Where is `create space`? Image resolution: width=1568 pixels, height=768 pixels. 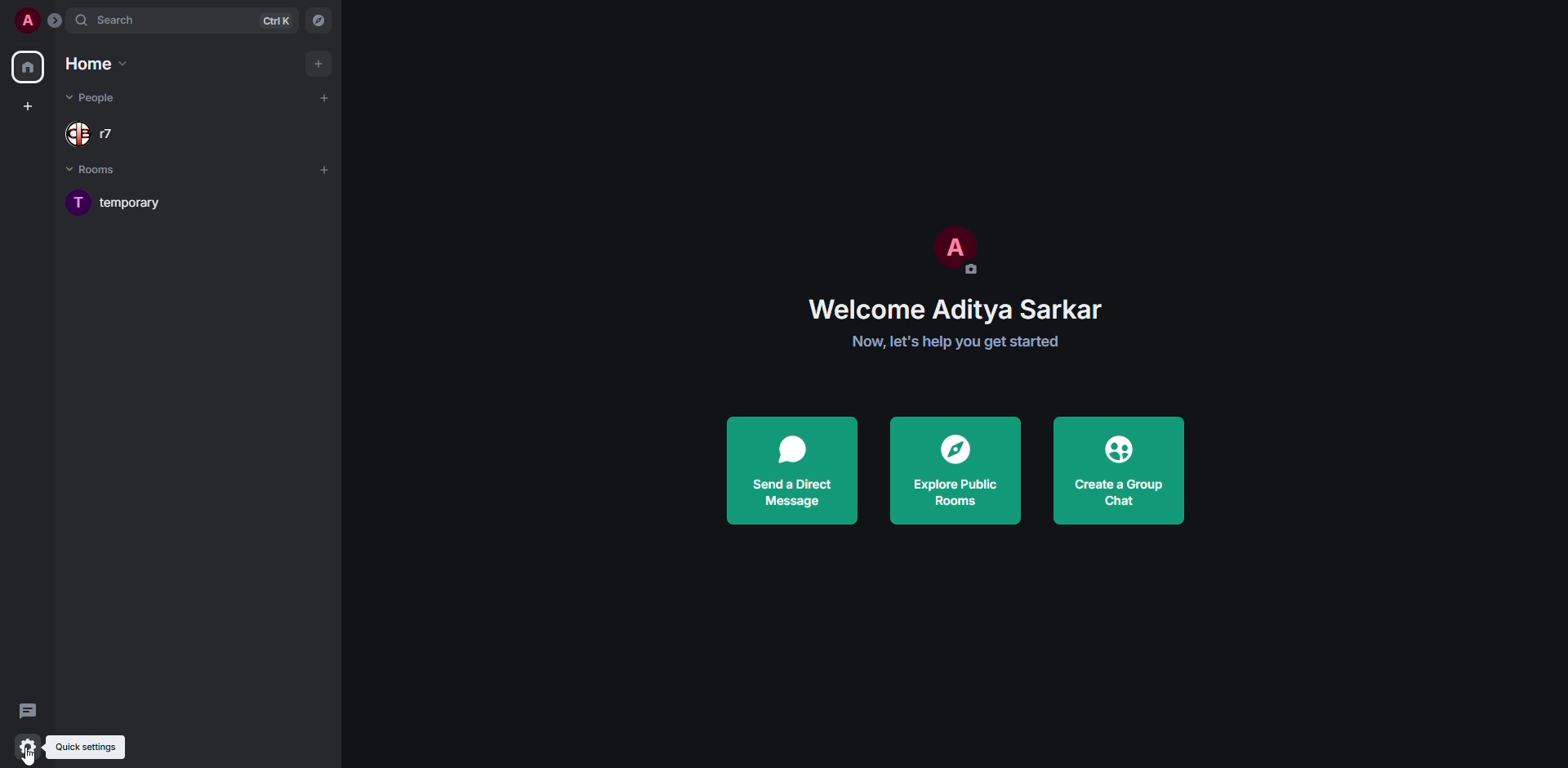 create space is located at coordinates (28, 105).